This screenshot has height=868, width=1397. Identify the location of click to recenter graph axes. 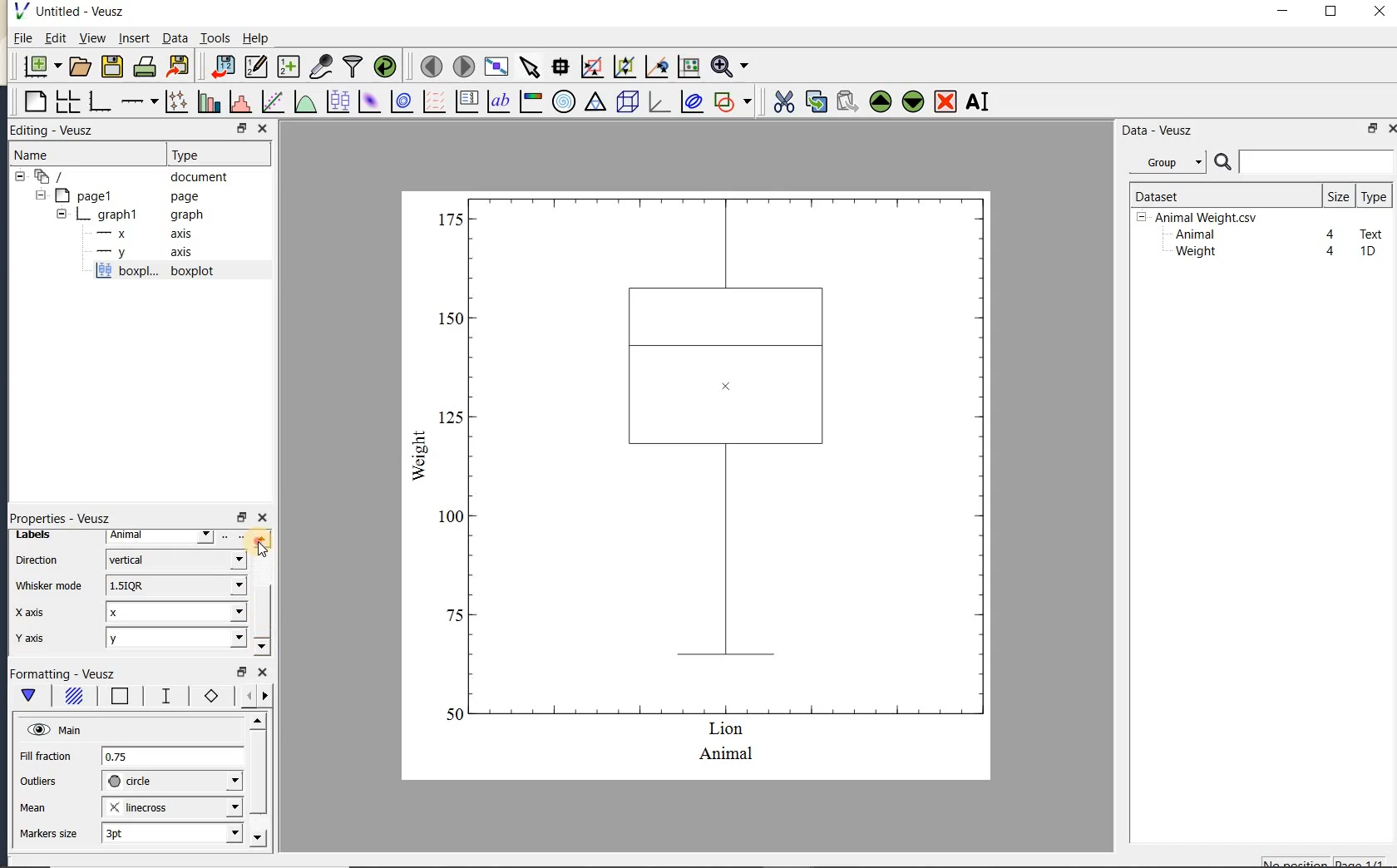
(657, 67).